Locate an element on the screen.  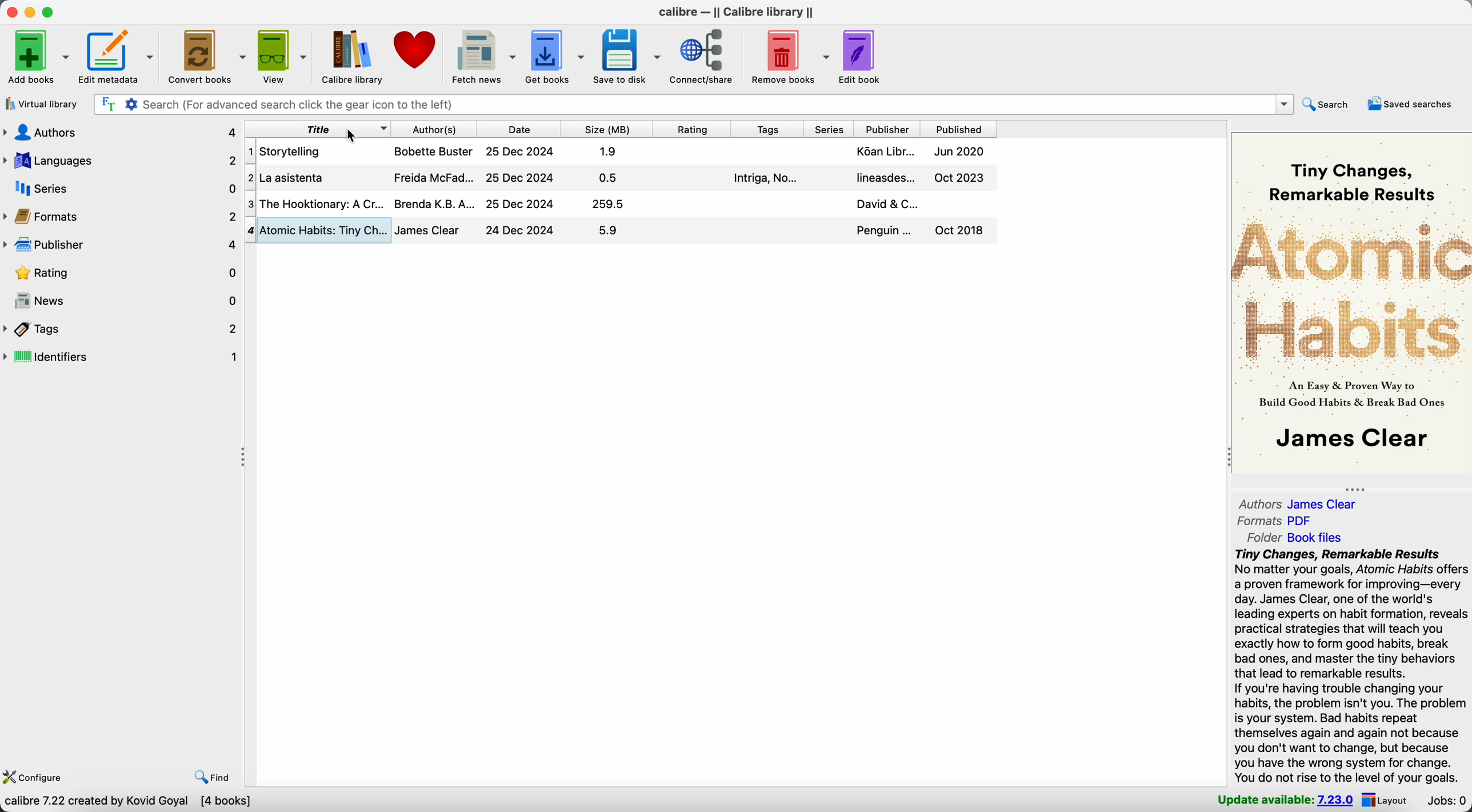
convert books is located at coordinates (207, 58).